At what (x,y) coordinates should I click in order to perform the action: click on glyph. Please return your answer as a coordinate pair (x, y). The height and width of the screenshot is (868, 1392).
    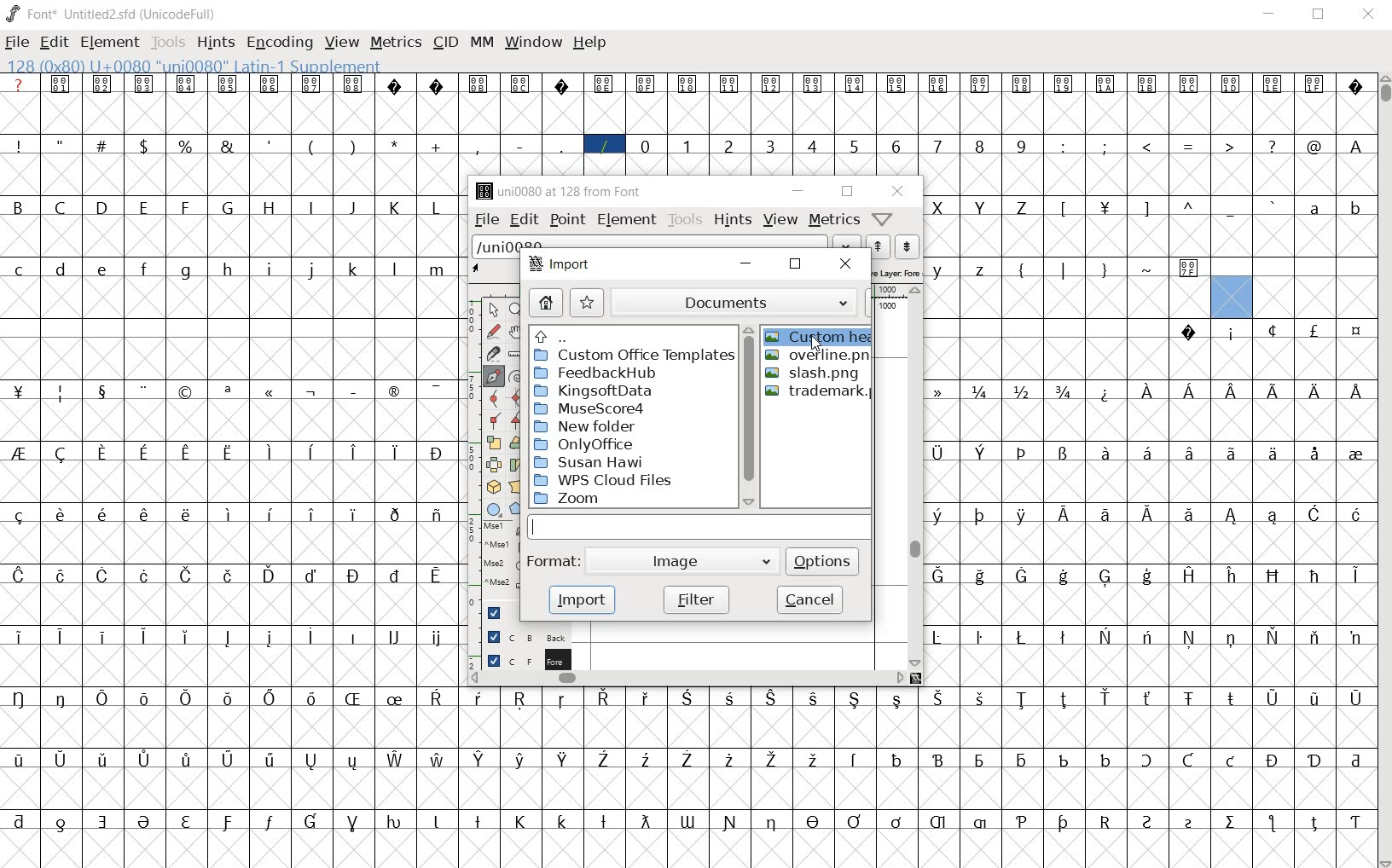
    Looking at the image, I should click on (310, 84).